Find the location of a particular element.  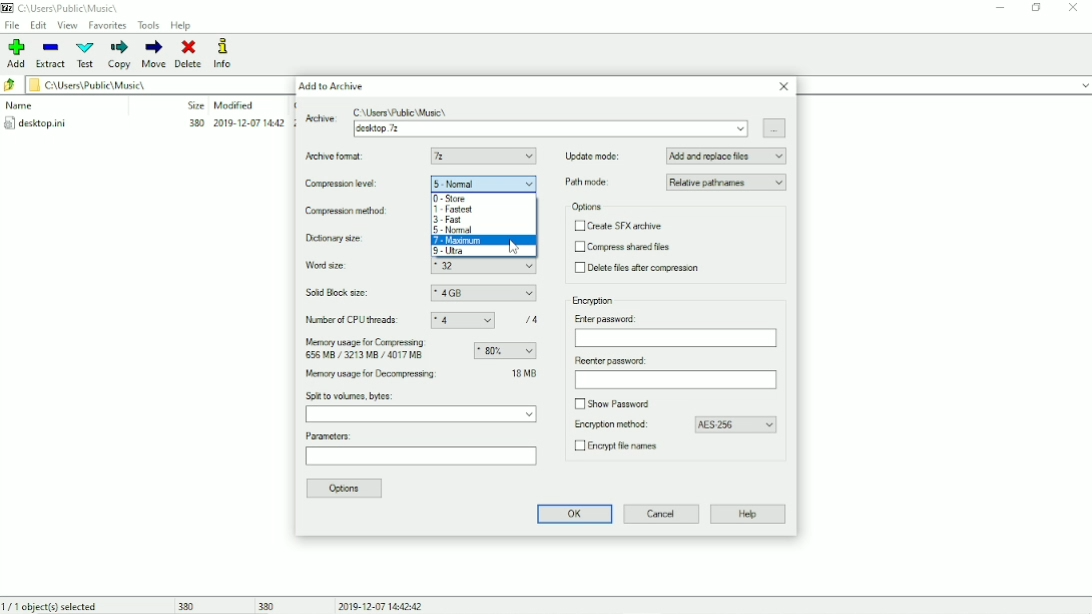

Archive is located at coordinates (551, 129).